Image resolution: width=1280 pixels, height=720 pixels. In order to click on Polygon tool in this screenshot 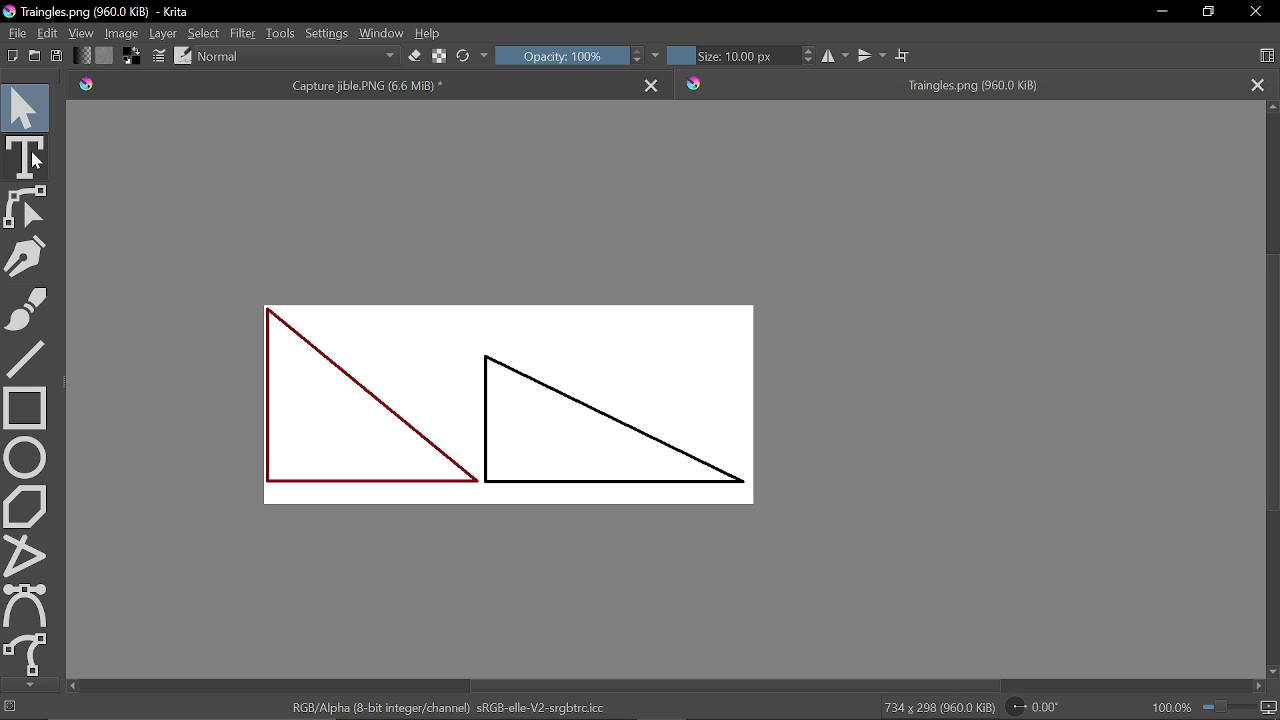, I will do `click(26, 505)`.